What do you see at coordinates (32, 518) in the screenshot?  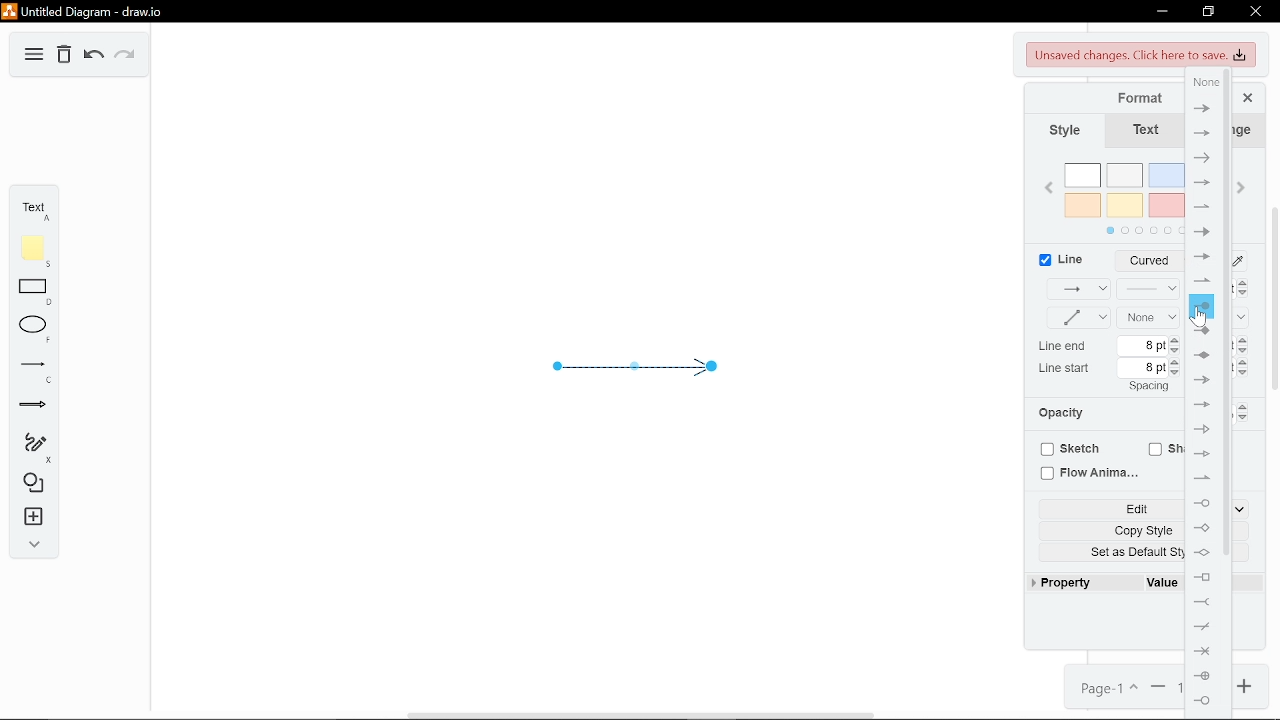 I see `Insert` at bounding box center [32, 518].